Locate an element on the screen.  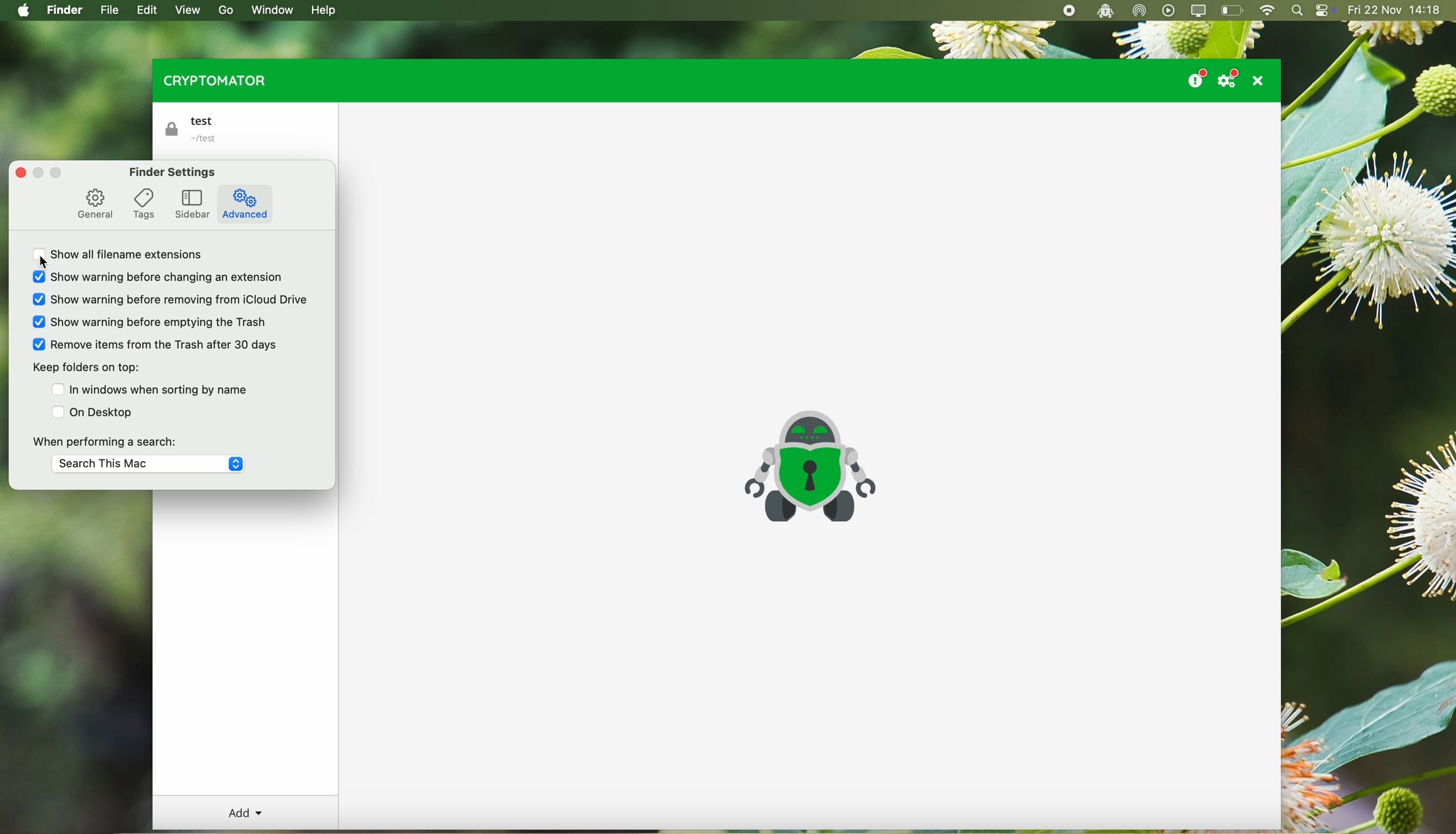
cryptomator open is located at coordinates (1103, 11).